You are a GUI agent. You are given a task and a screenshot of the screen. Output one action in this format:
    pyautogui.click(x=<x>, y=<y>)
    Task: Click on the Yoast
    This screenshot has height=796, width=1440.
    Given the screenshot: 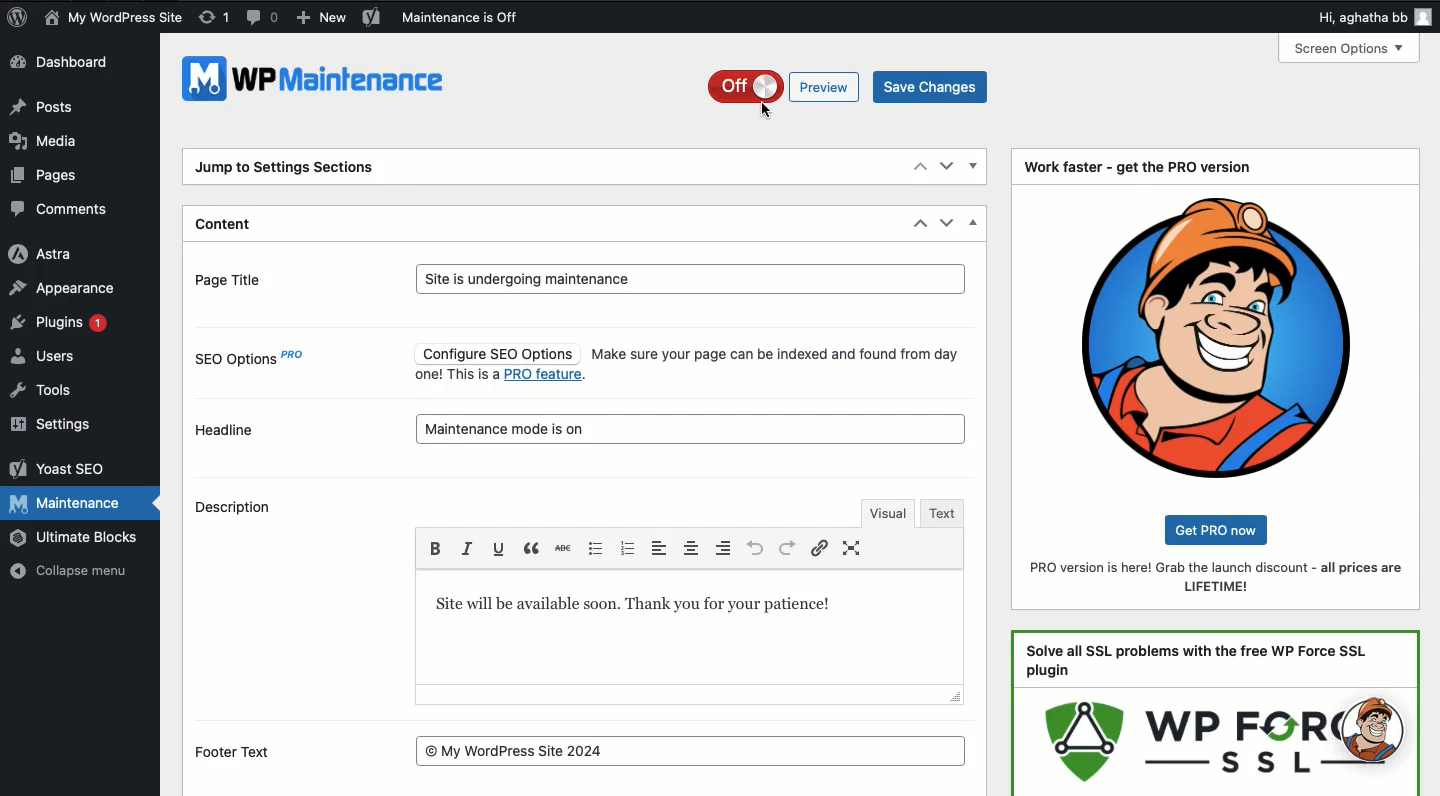 What is the action you would take?
    pyautogui.click(x=58, y=469)
    